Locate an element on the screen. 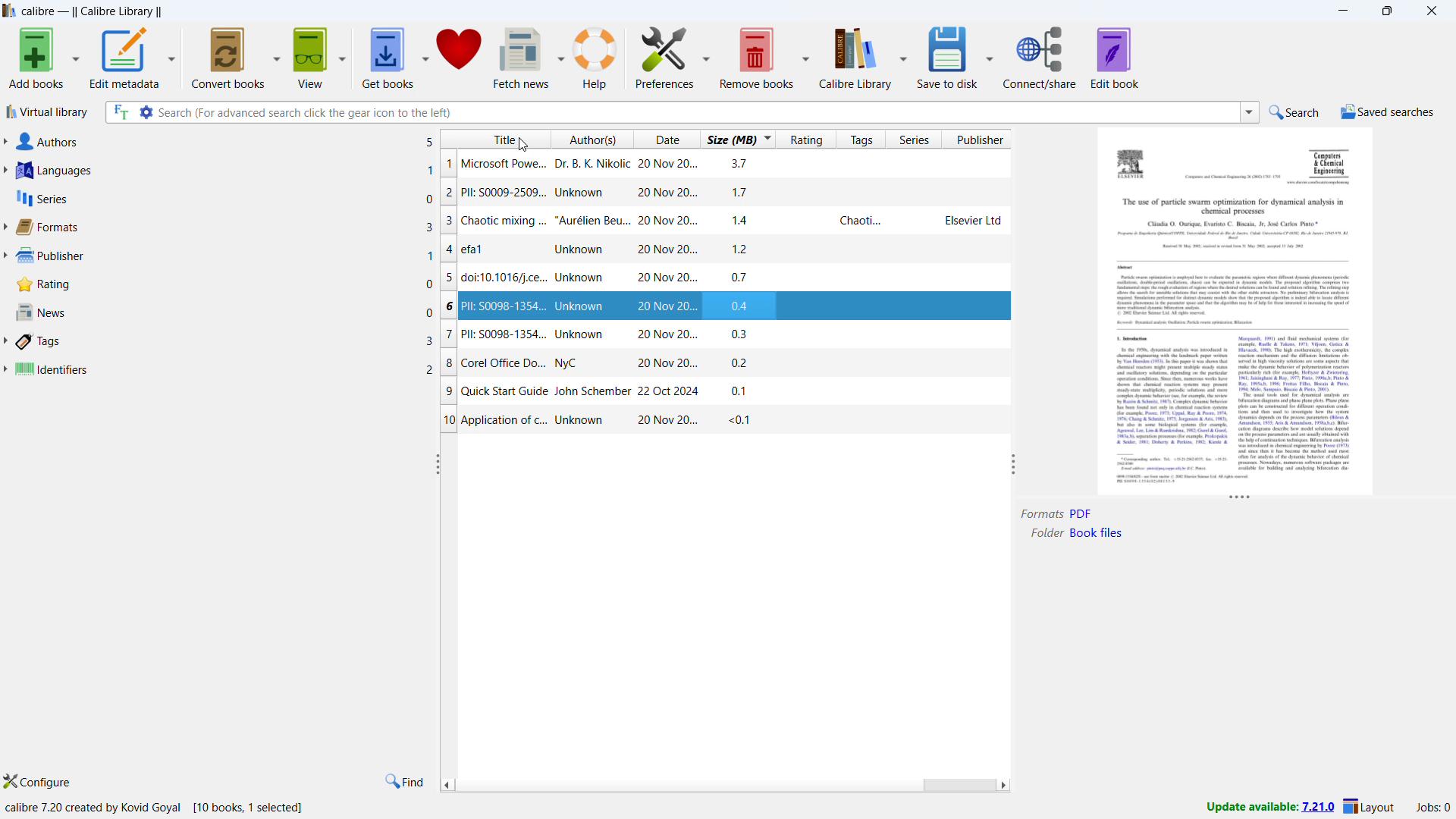 The height and width of the screenshot is (819, 1456). virtual library is located at coordinates (48, 112).